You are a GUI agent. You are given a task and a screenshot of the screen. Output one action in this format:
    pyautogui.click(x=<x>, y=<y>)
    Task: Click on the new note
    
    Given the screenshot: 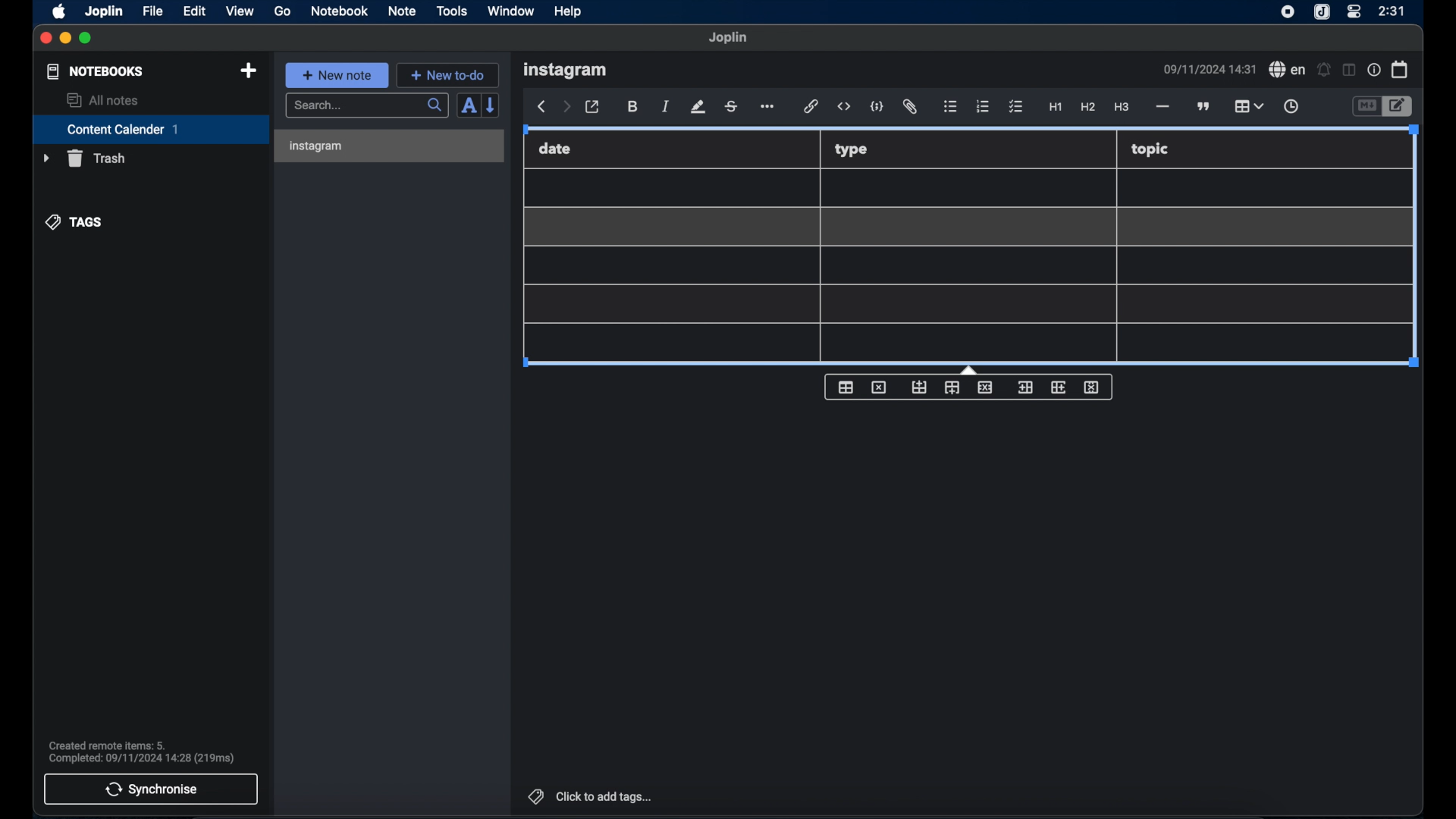 What is the action you would take?
    pyautogui.click(x=337, y=75)
    